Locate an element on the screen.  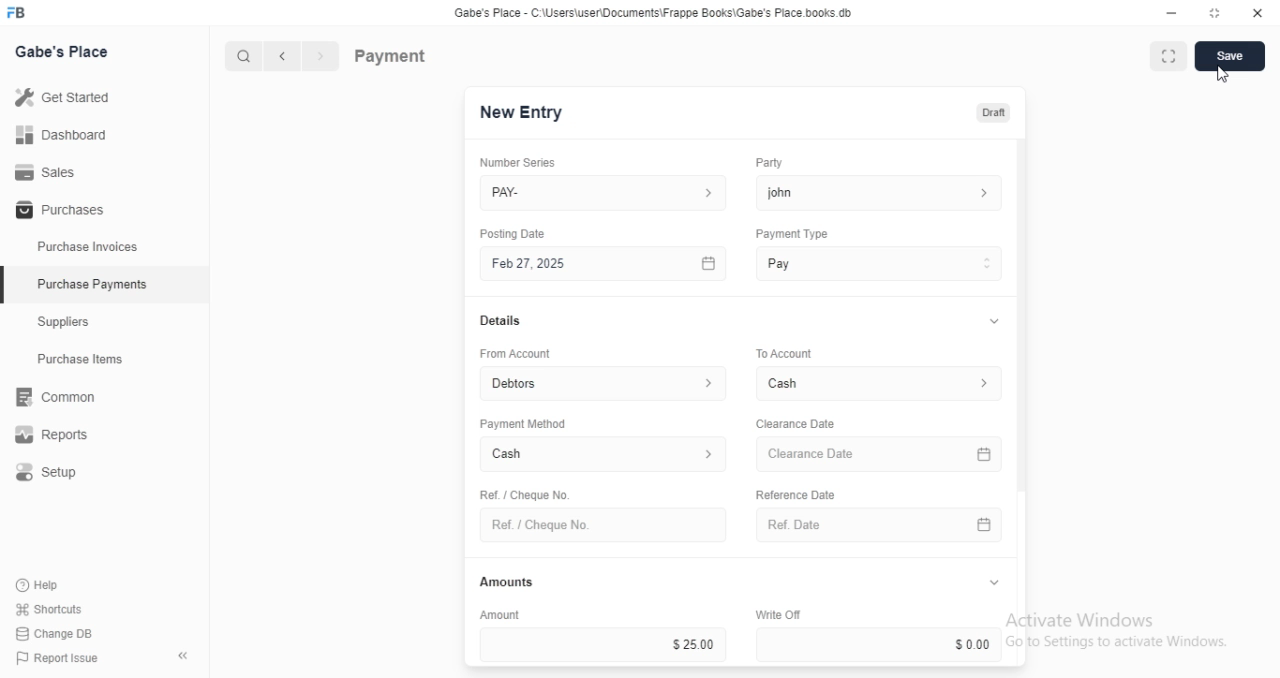
‘From Account is located at coordinates (514, 353).